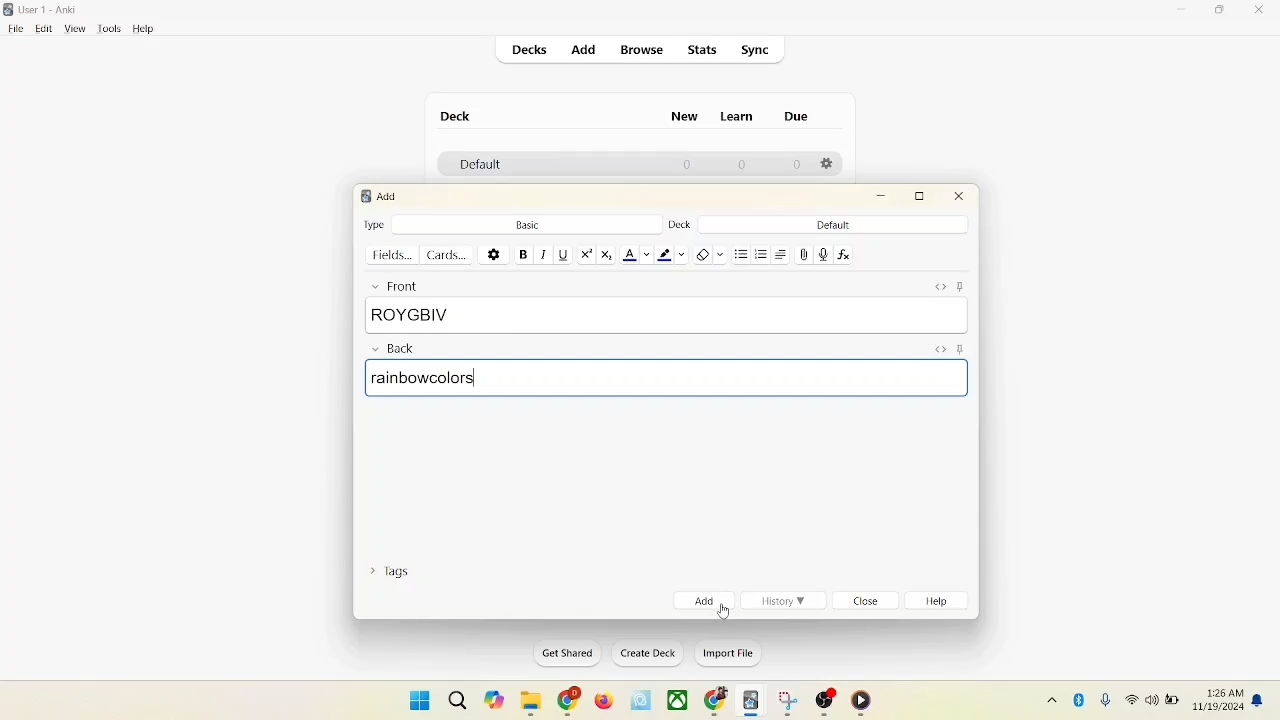 This screenshot has height=720, width=1280. I want to click on maximize, so click(1222, 13).